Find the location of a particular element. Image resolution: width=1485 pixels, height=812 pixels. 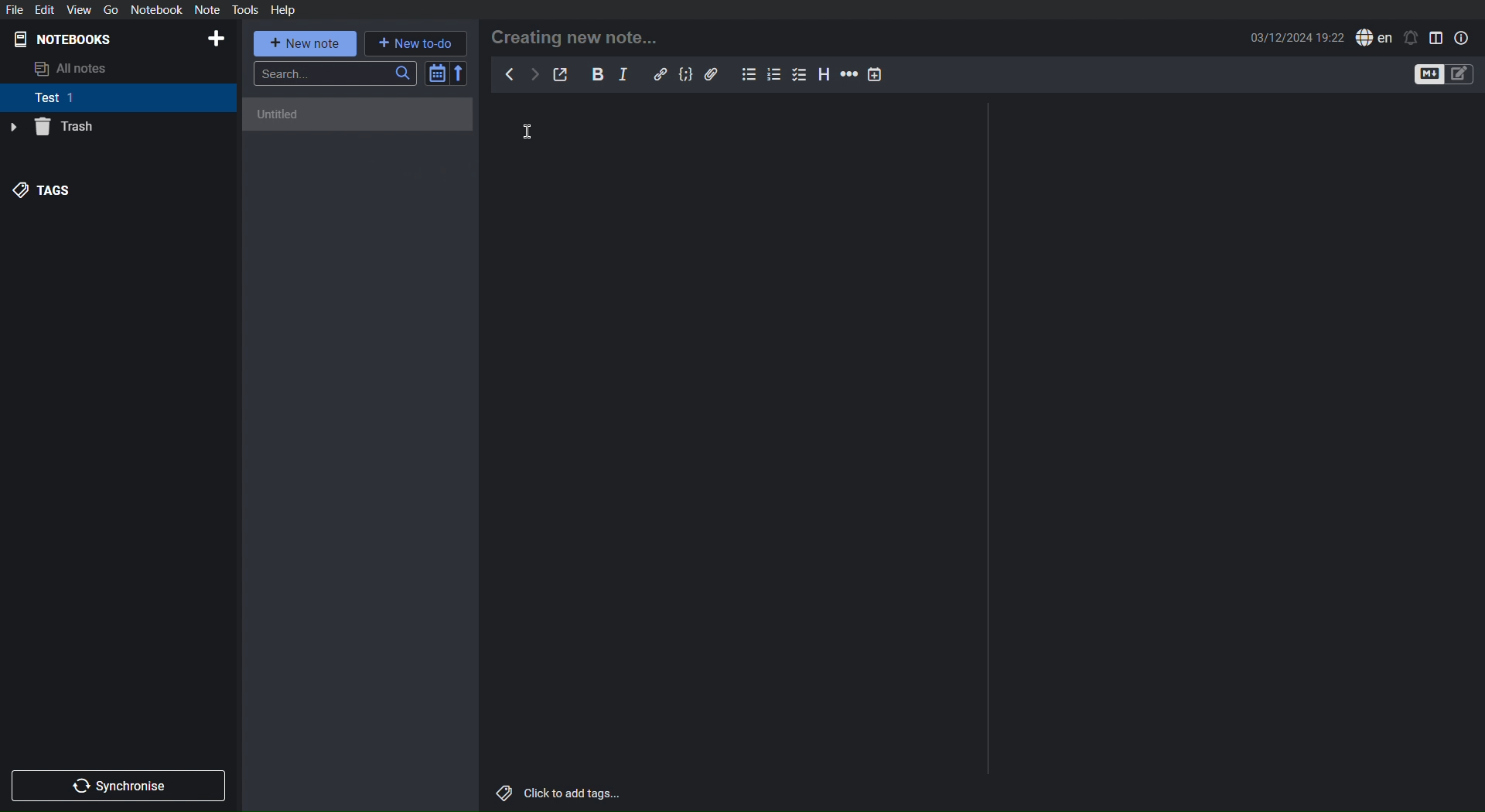

Edit externally is located at coordinates (560, 74).